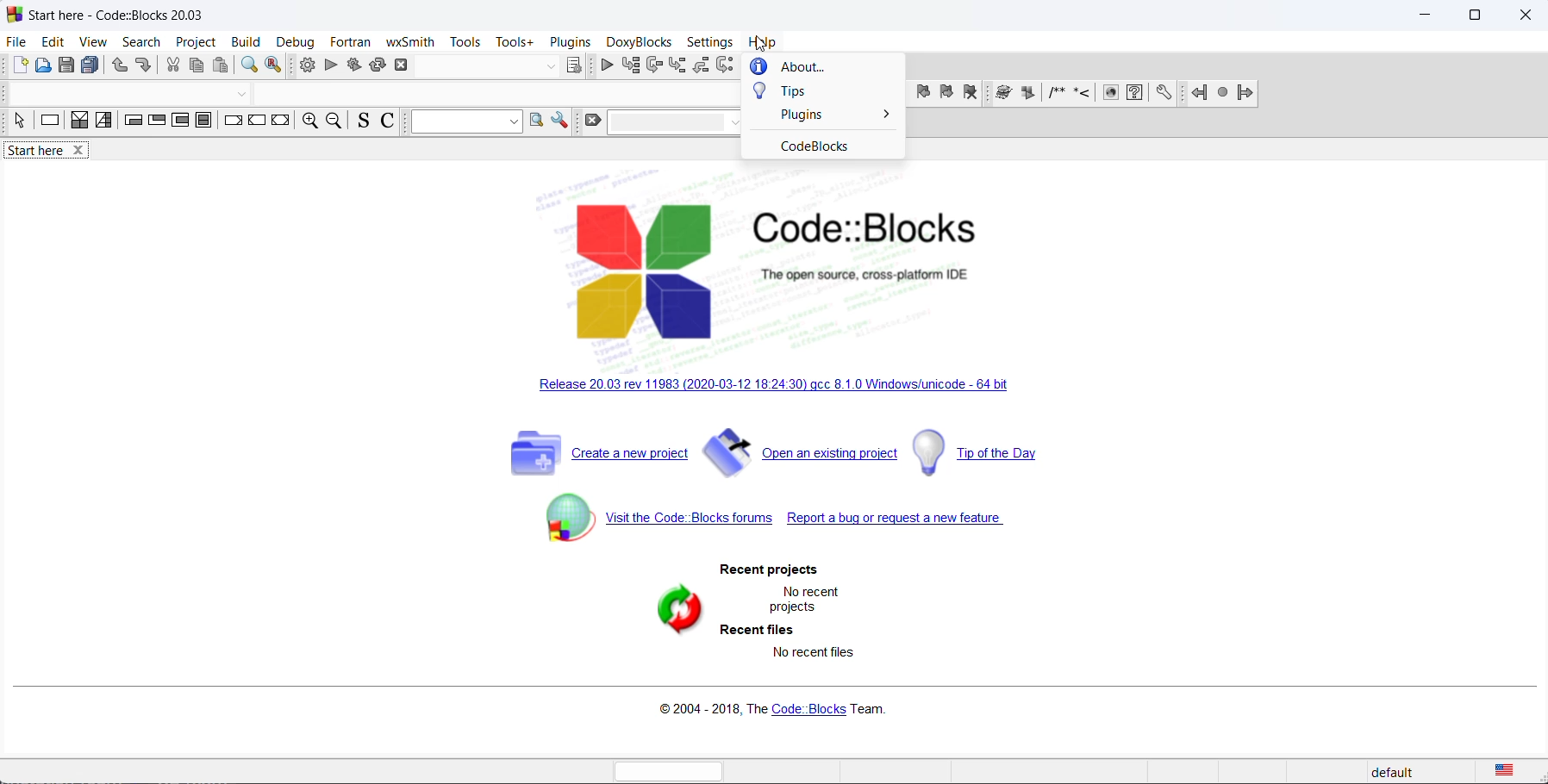 The image size is (1548, 784). I want to click on create new project, so click(589, 453).